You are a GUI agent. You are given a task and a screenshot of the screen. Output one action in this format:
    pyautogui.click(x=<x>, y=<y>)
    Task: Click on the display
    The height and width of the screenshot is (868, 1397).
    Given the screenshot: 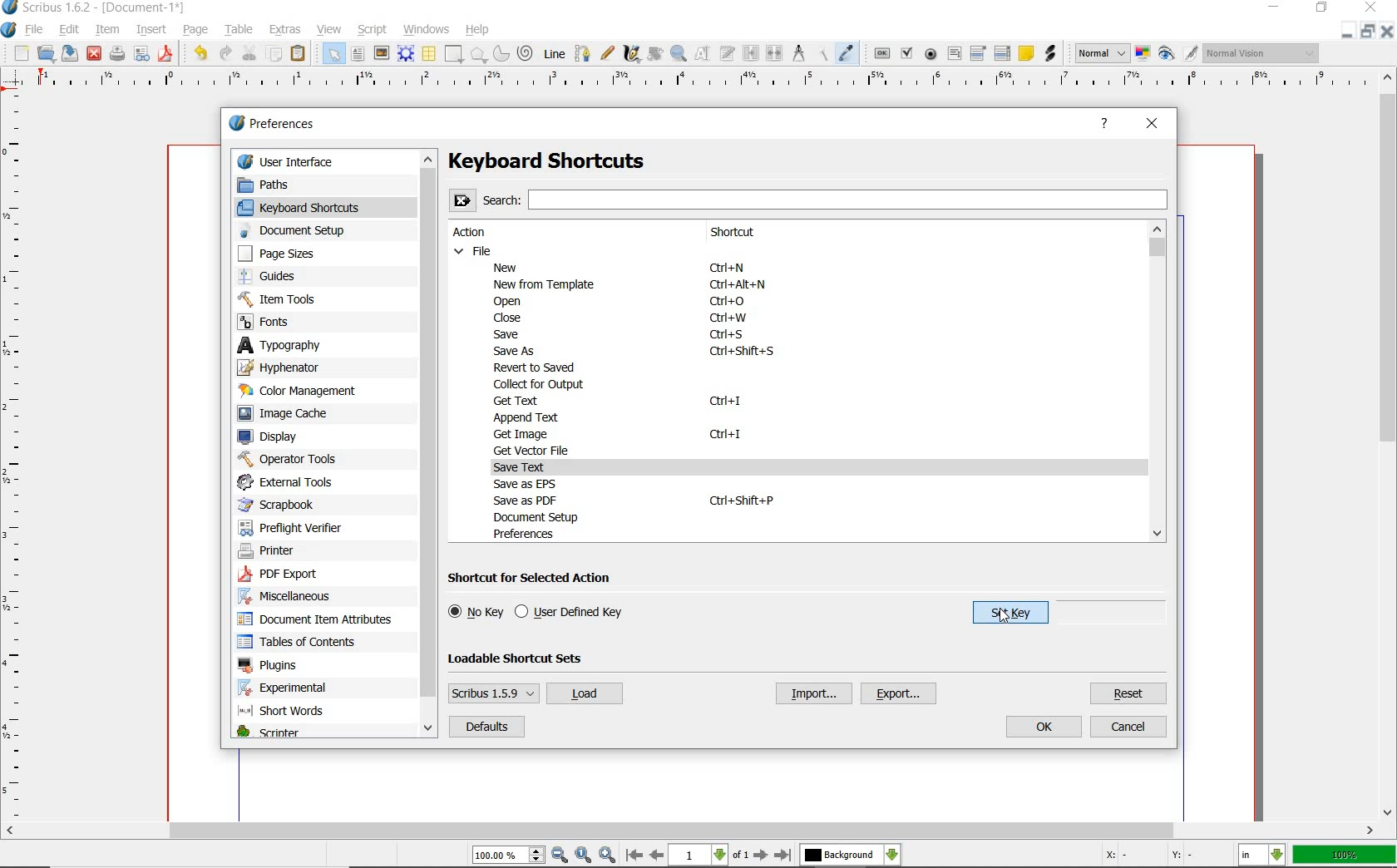 What is the action you would take?
    pyautogui.click(x=276, y=436)
    